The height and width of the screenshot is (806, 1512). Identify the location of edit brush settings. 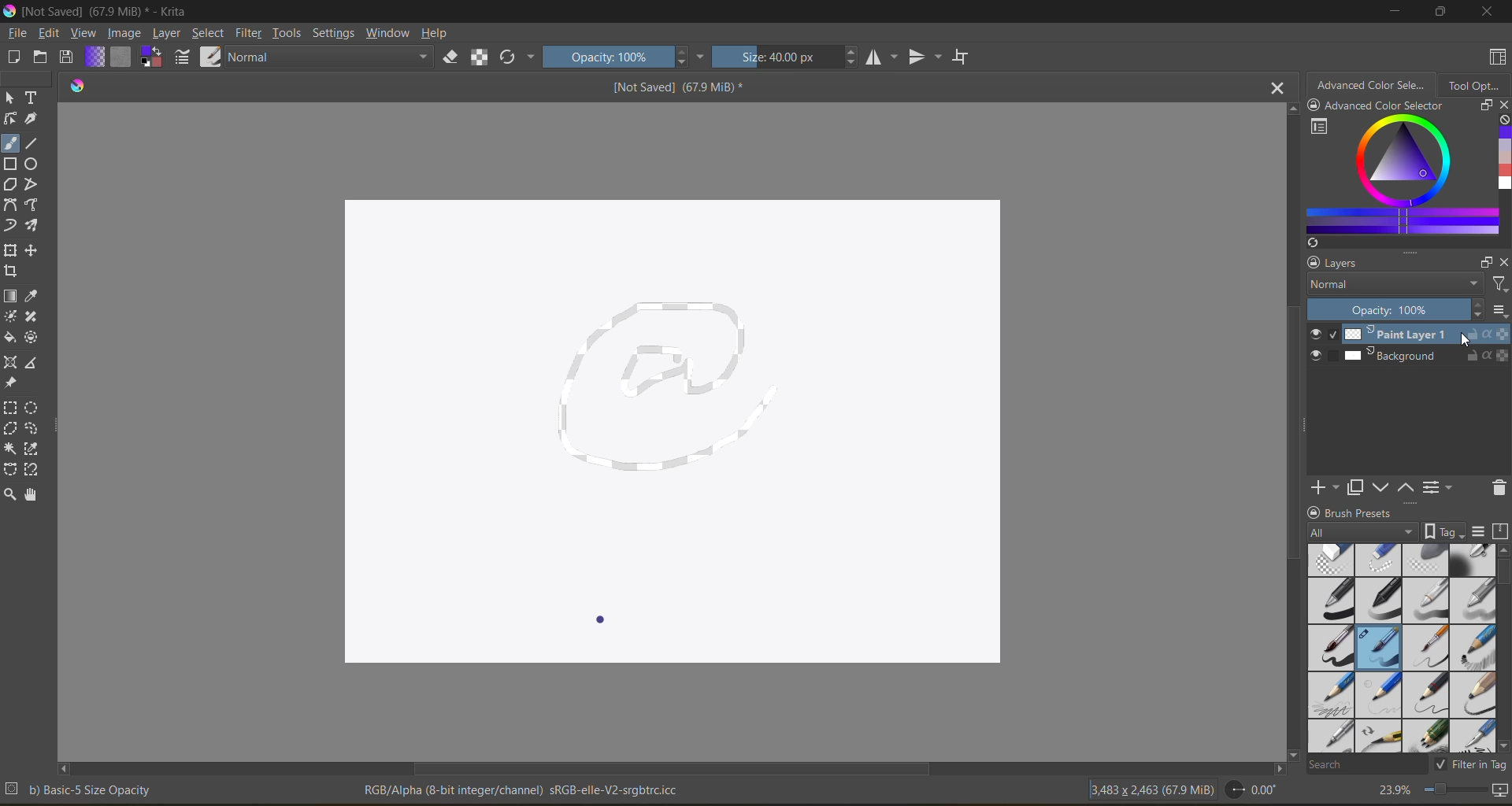
(183, 57).